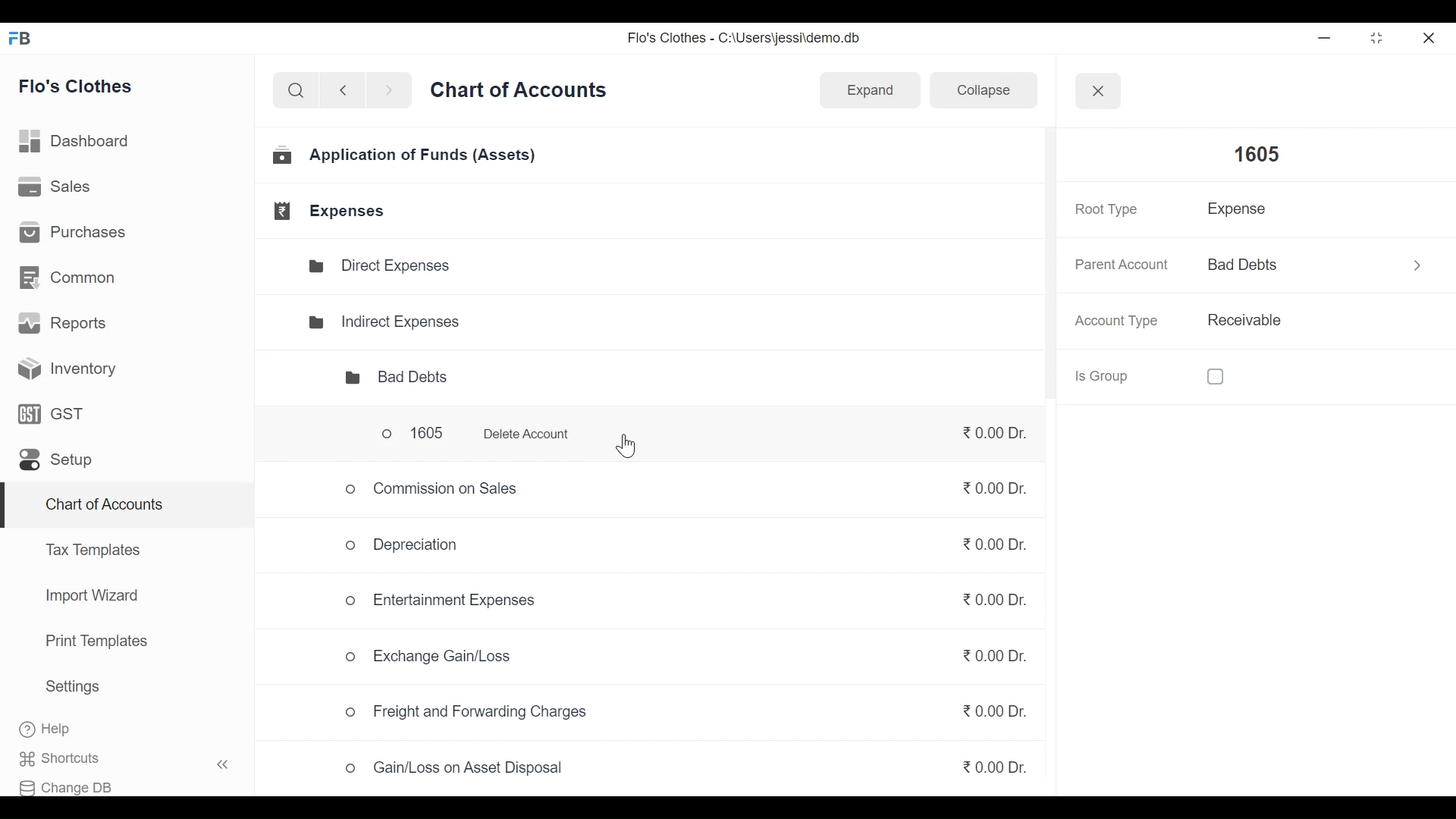 This screenshot has height=819, width=1456. I want to click on Sales, so click(56, 188).